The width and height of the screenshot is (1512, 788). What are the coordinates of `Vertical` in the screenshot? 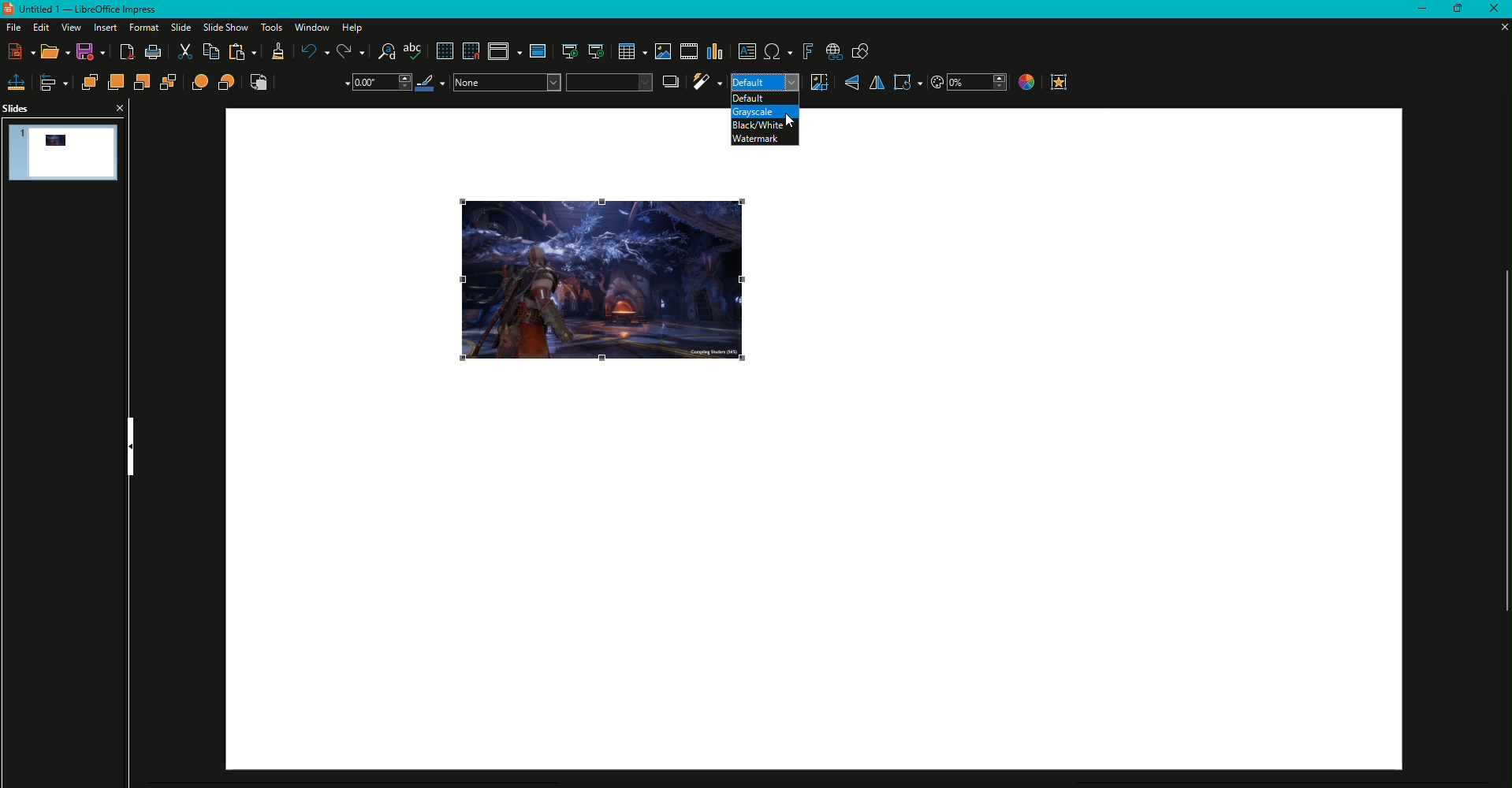 It's located at (851, 83).